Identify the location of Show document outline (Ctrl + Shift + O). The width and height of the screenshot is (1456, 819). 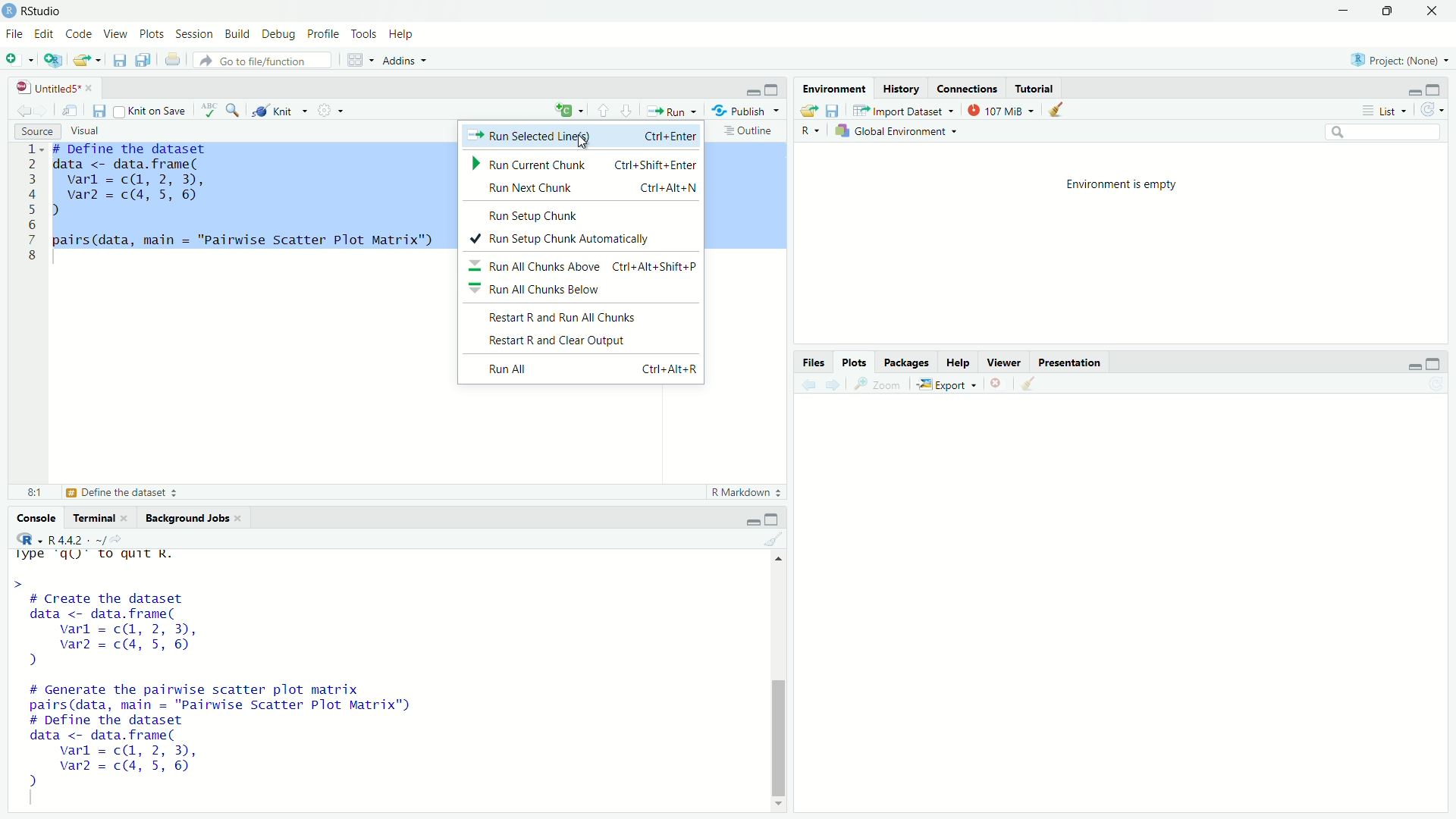
(750, 130).